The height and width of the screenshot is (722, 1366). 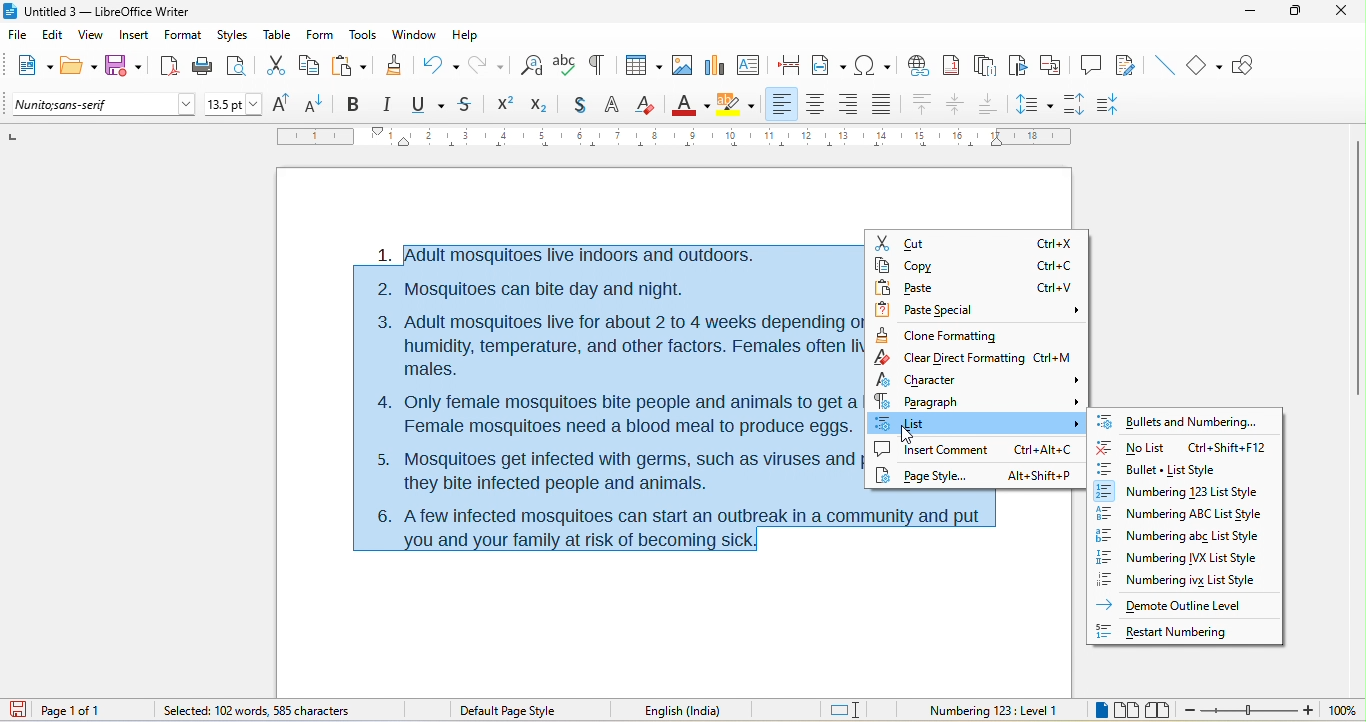 What do you see at coordinates (1035, 103) in the screenshot?
I see `set line spacing` at bounding box center [1035, 103].